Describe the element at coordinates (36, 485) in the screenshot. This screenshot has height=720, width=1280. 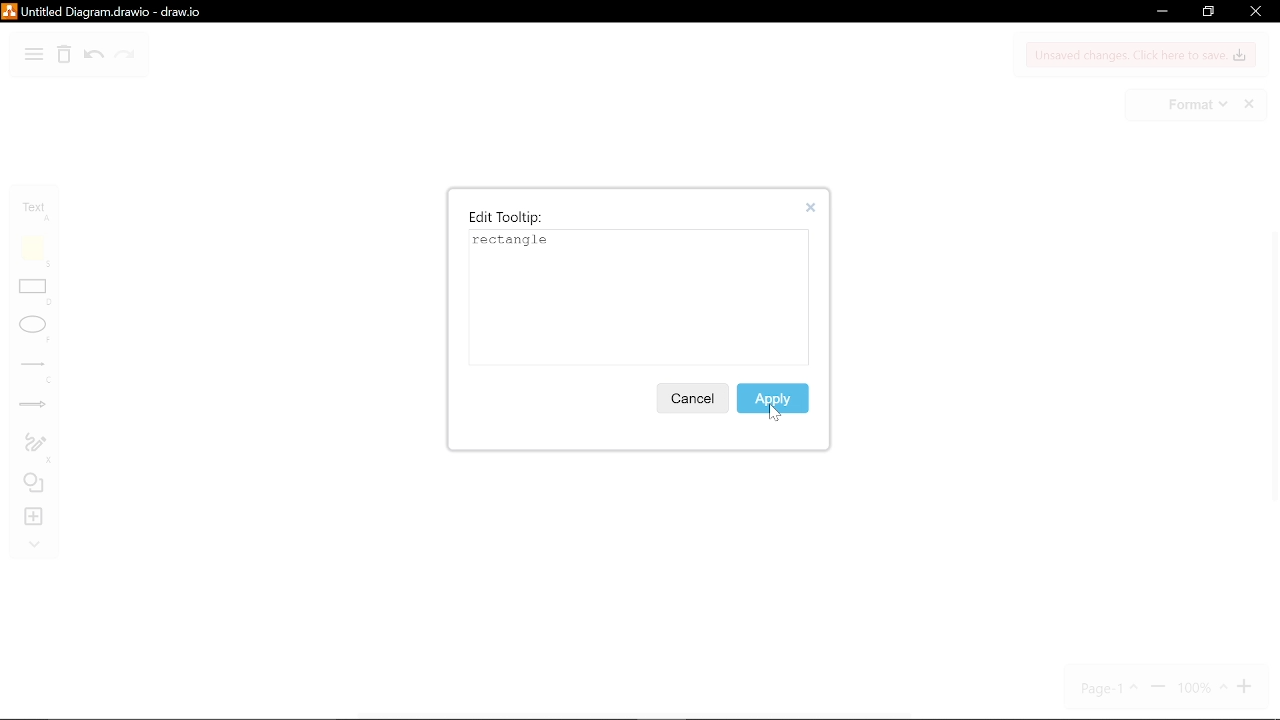
I see `shapes` at that location.